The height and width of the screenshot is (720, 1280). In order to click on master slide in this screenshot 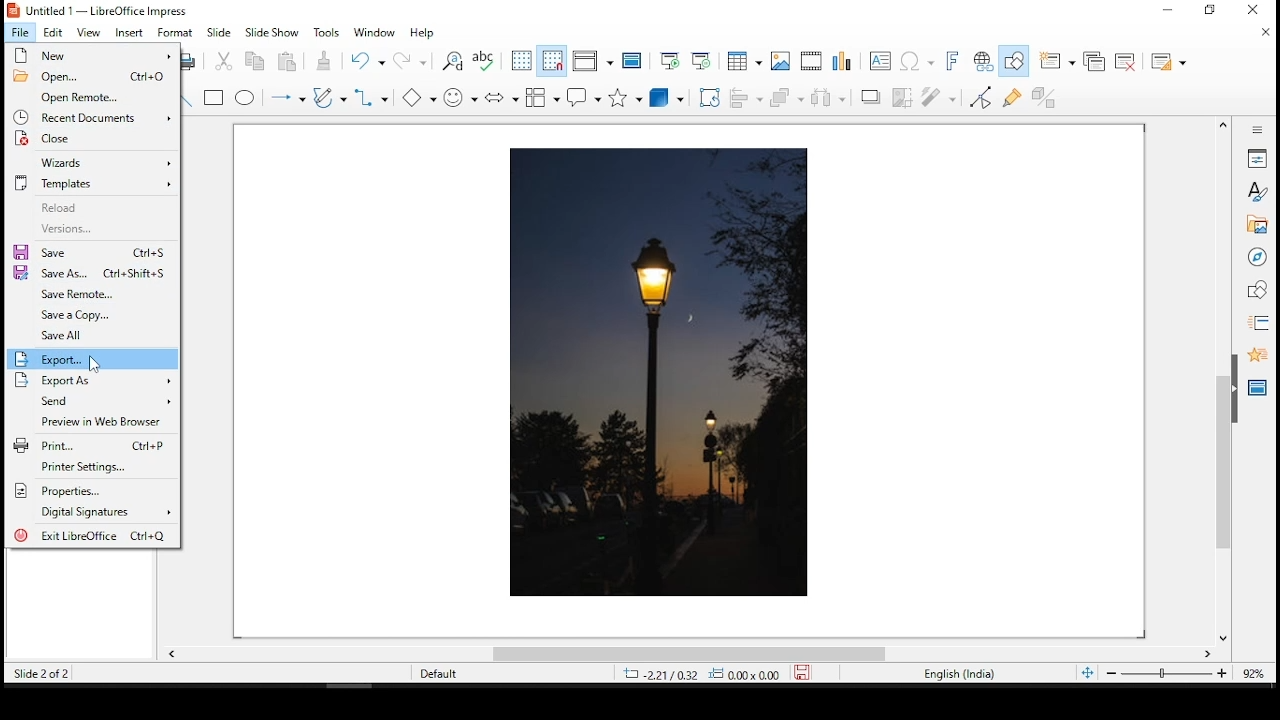, I will do `click(635, 60)`.